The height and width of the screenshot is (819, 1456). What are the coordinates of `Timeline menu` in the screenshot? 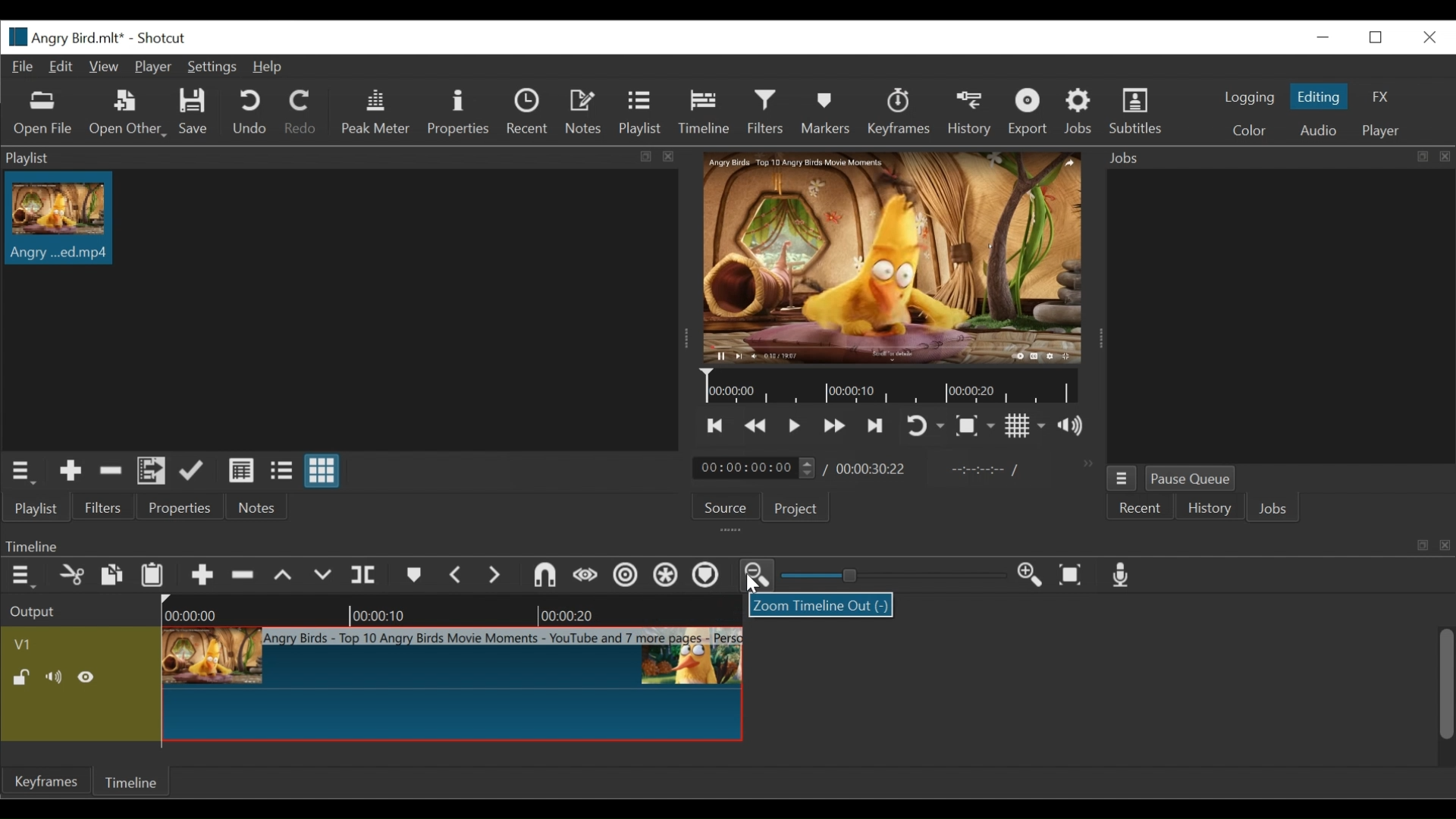 It's located at (20, 575).